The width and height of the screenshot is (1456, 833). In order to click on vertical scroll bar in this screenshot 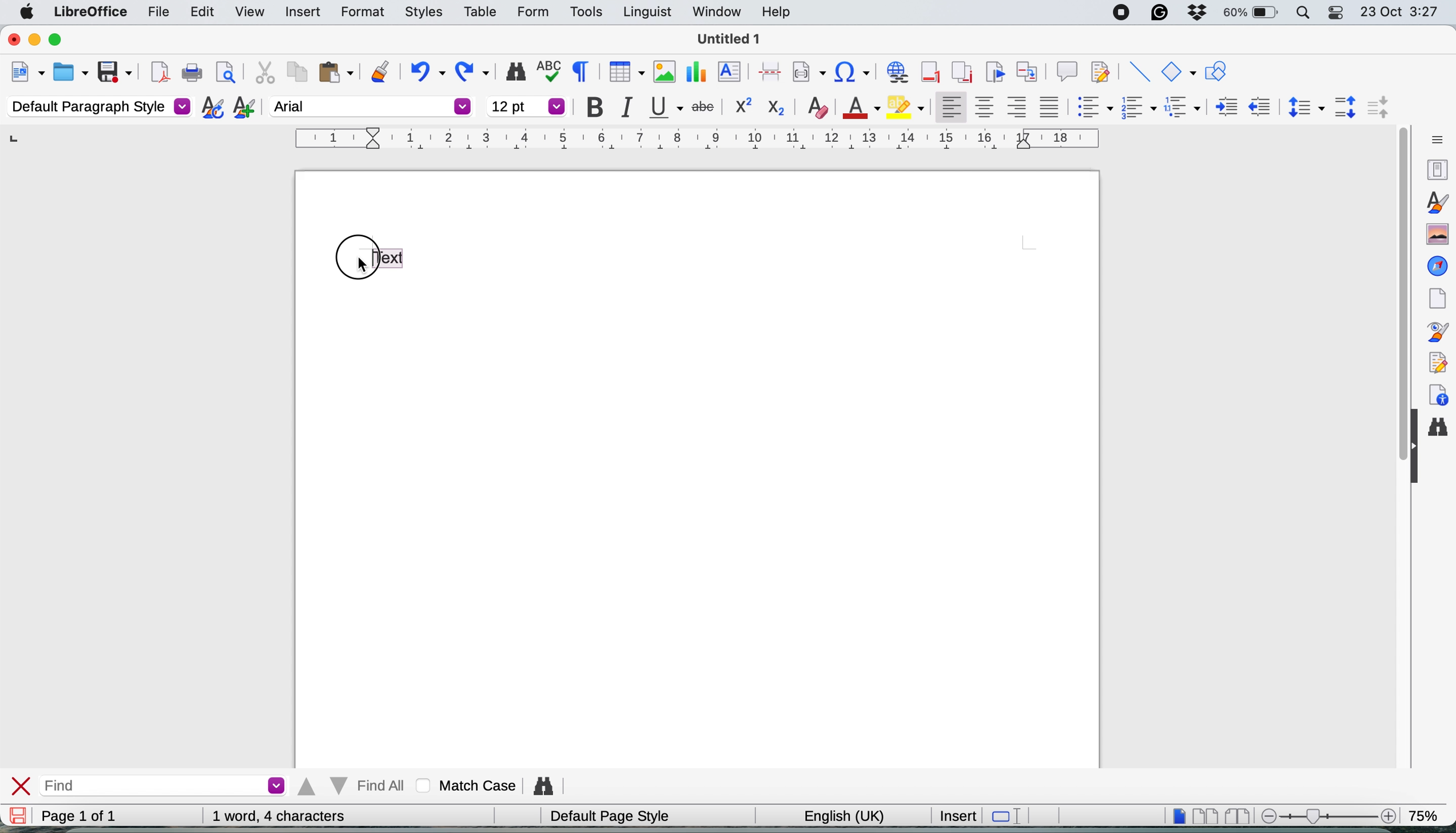, I will do `click(1398, 265)`.